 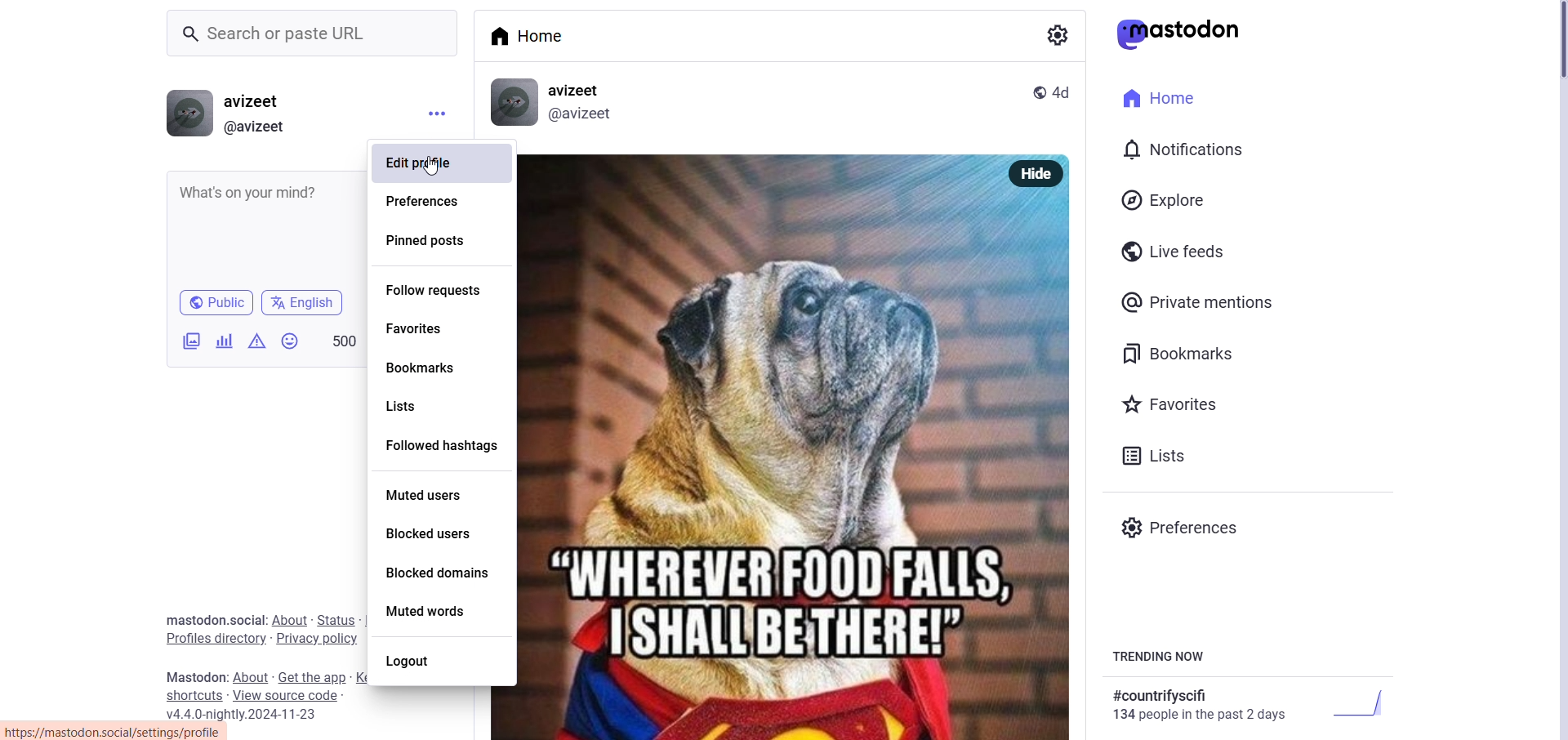 I want to click on blocked users, so click(x=424, y=534).